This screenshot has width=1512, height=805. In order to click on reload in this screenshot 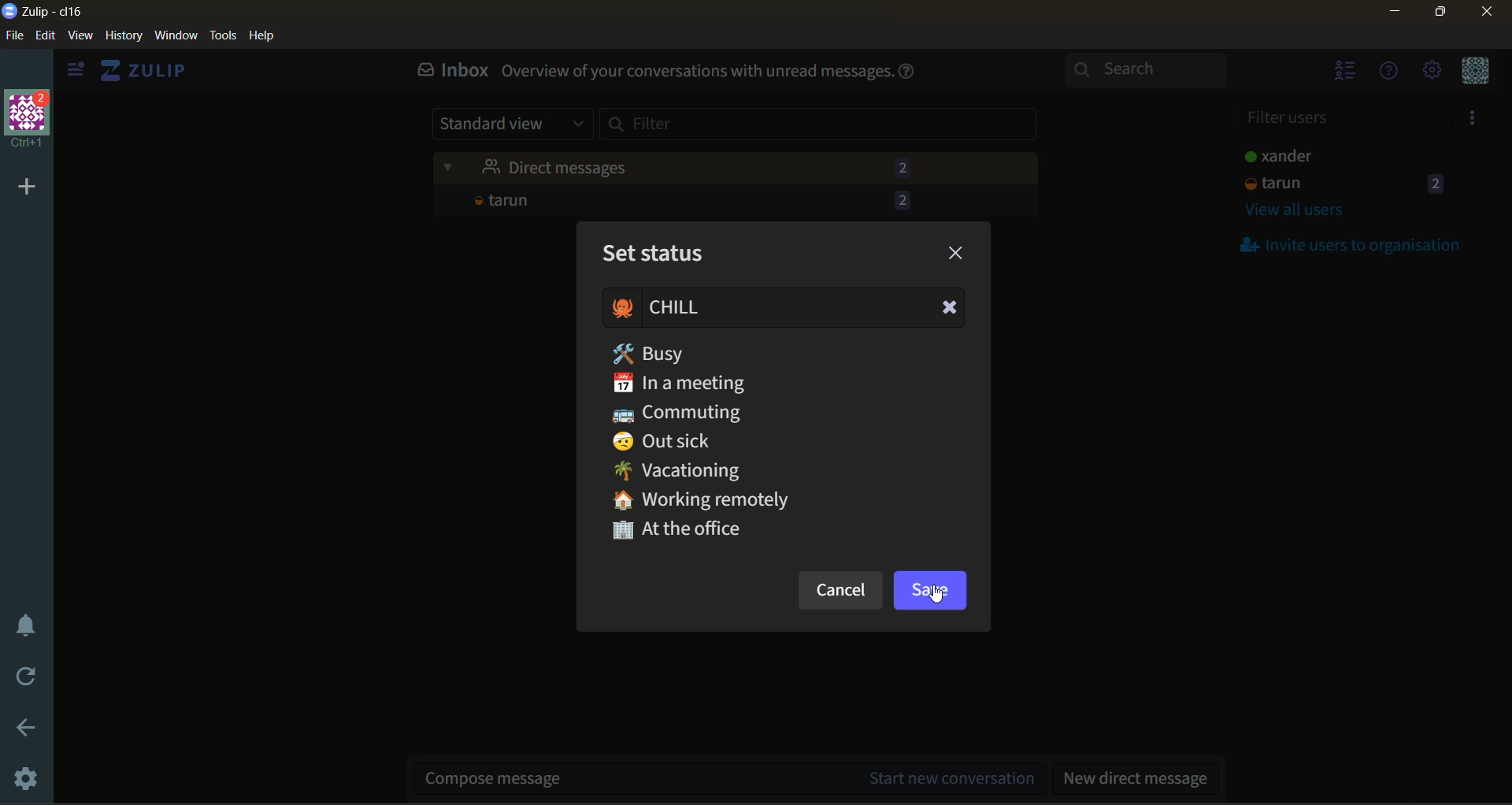, I will do `click(25, 677)`.